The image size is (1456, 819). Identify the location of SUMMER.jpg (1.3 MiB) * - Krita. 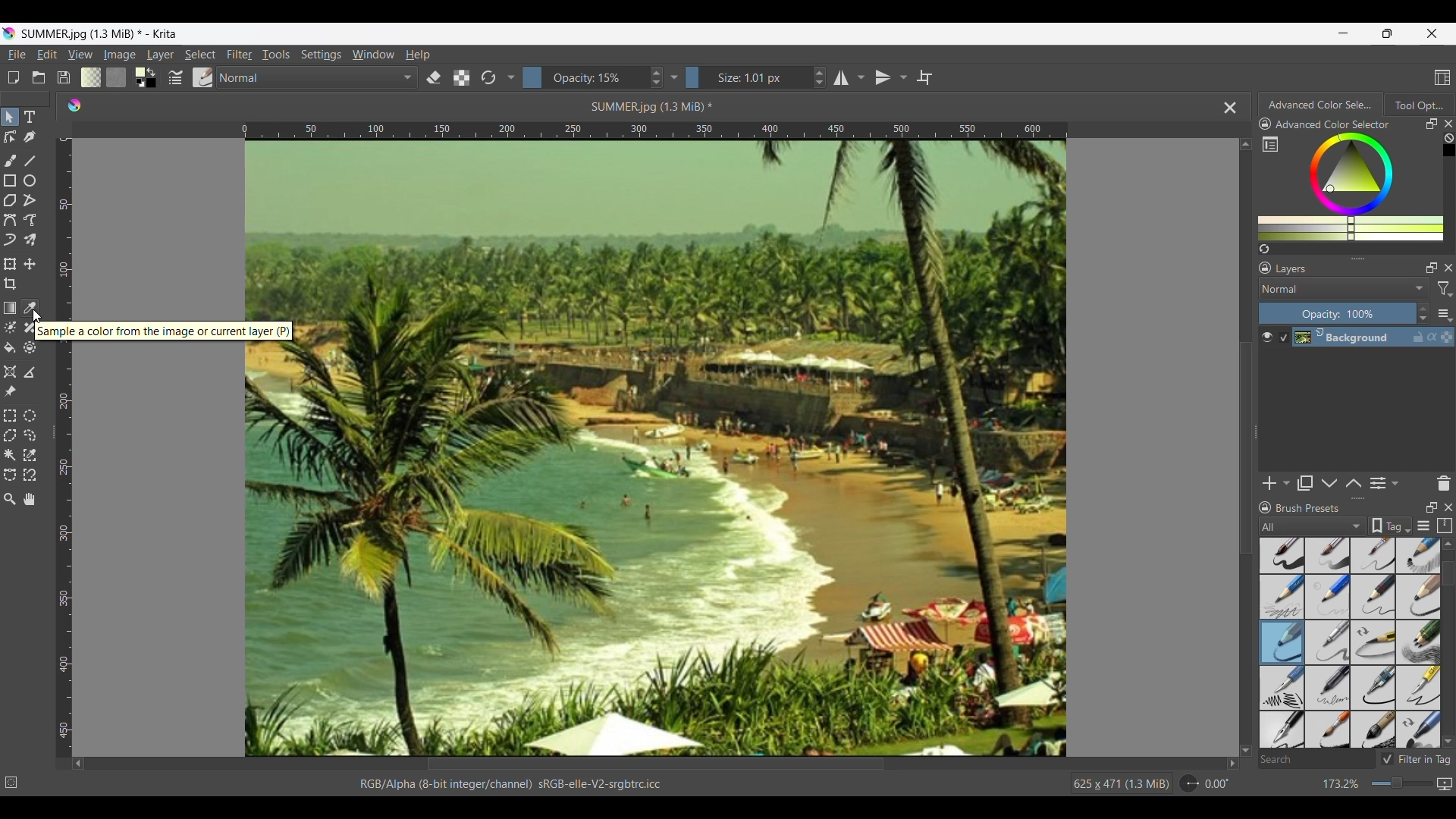
(100, 33).